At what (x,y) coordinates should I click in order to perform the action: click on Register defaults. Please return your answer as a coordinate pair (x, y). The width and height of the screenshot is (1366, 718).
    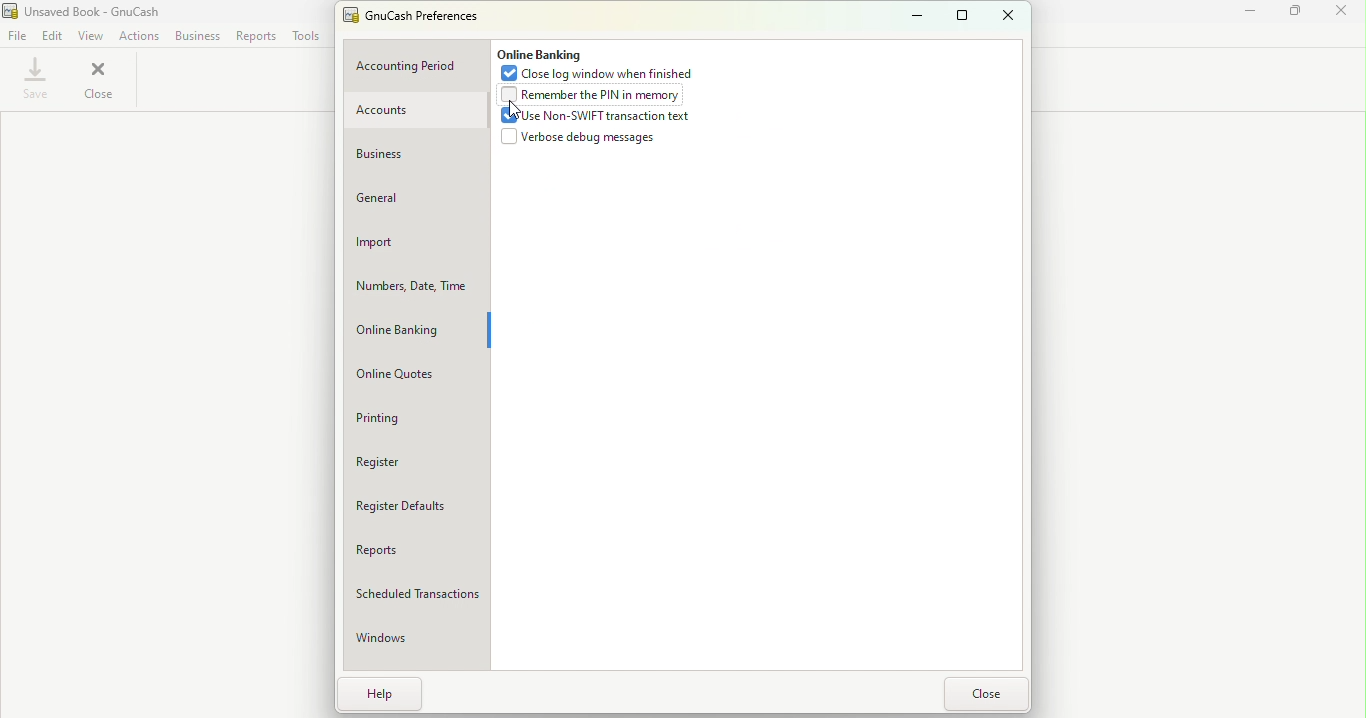
    Looking at the image, I should click on (419, 506).